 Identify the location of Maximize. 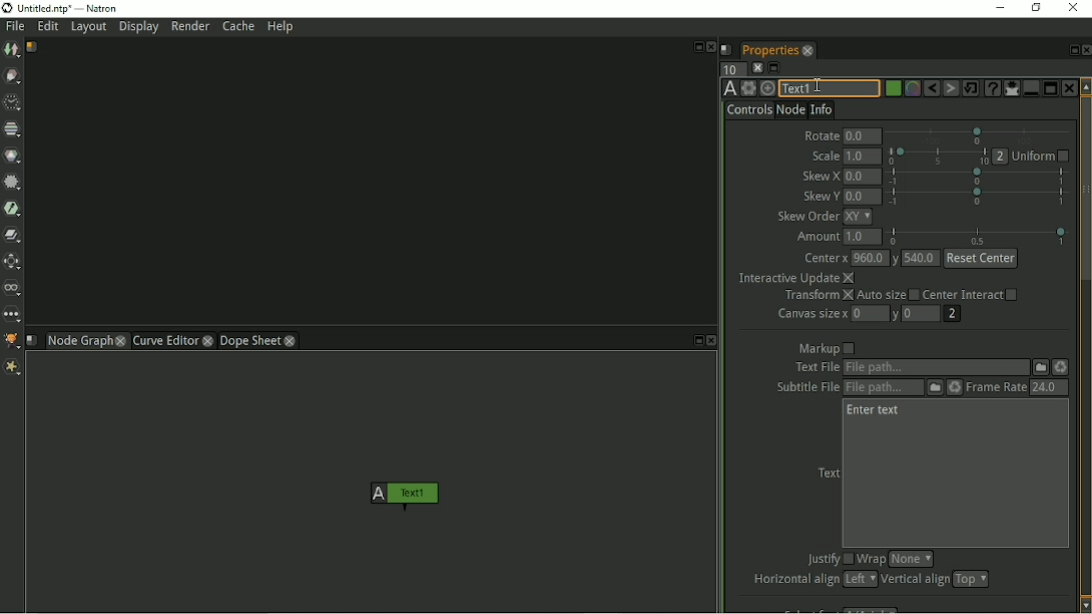
(1050, 87).